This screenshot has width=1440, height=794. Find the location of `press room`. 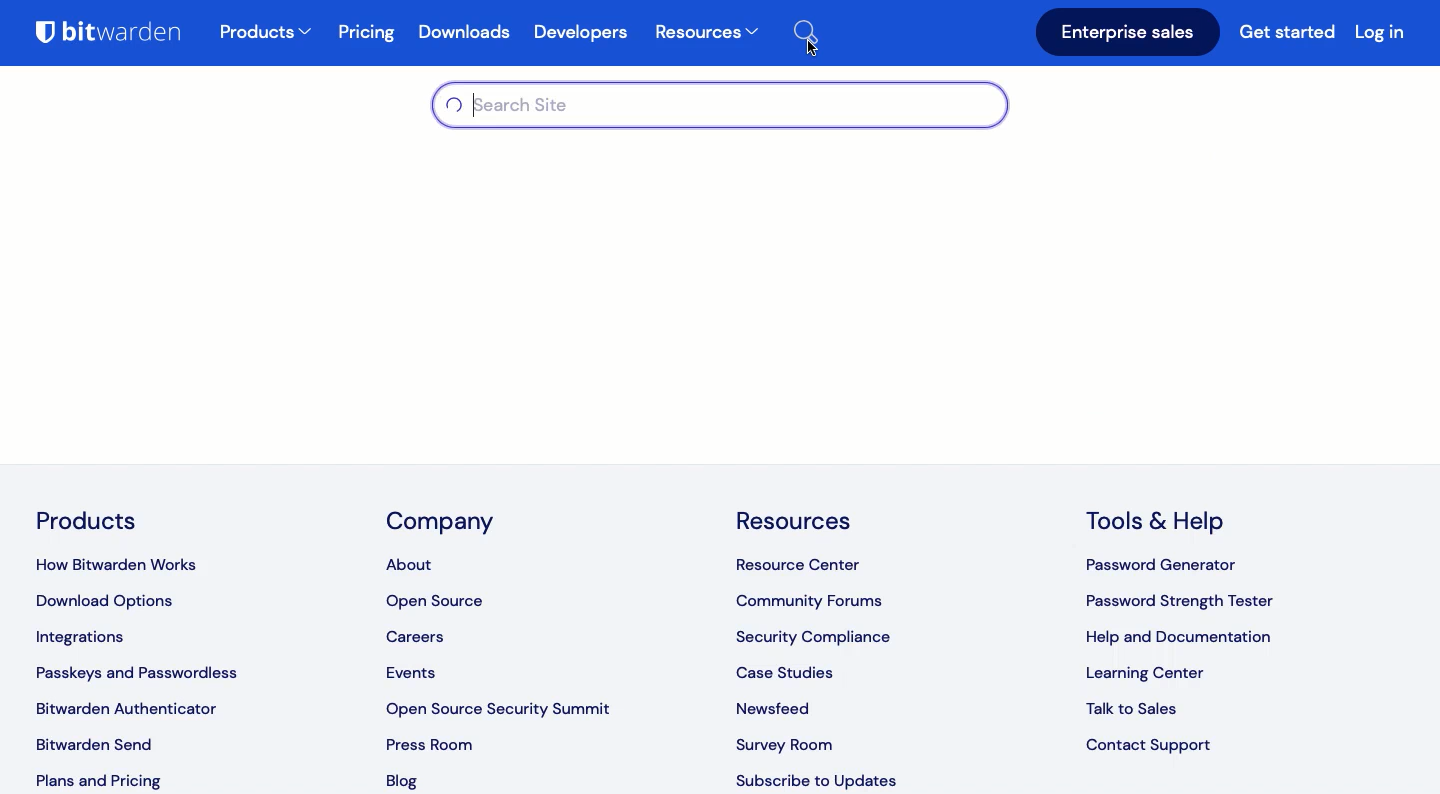

press room is located at coordinates (428, 743).